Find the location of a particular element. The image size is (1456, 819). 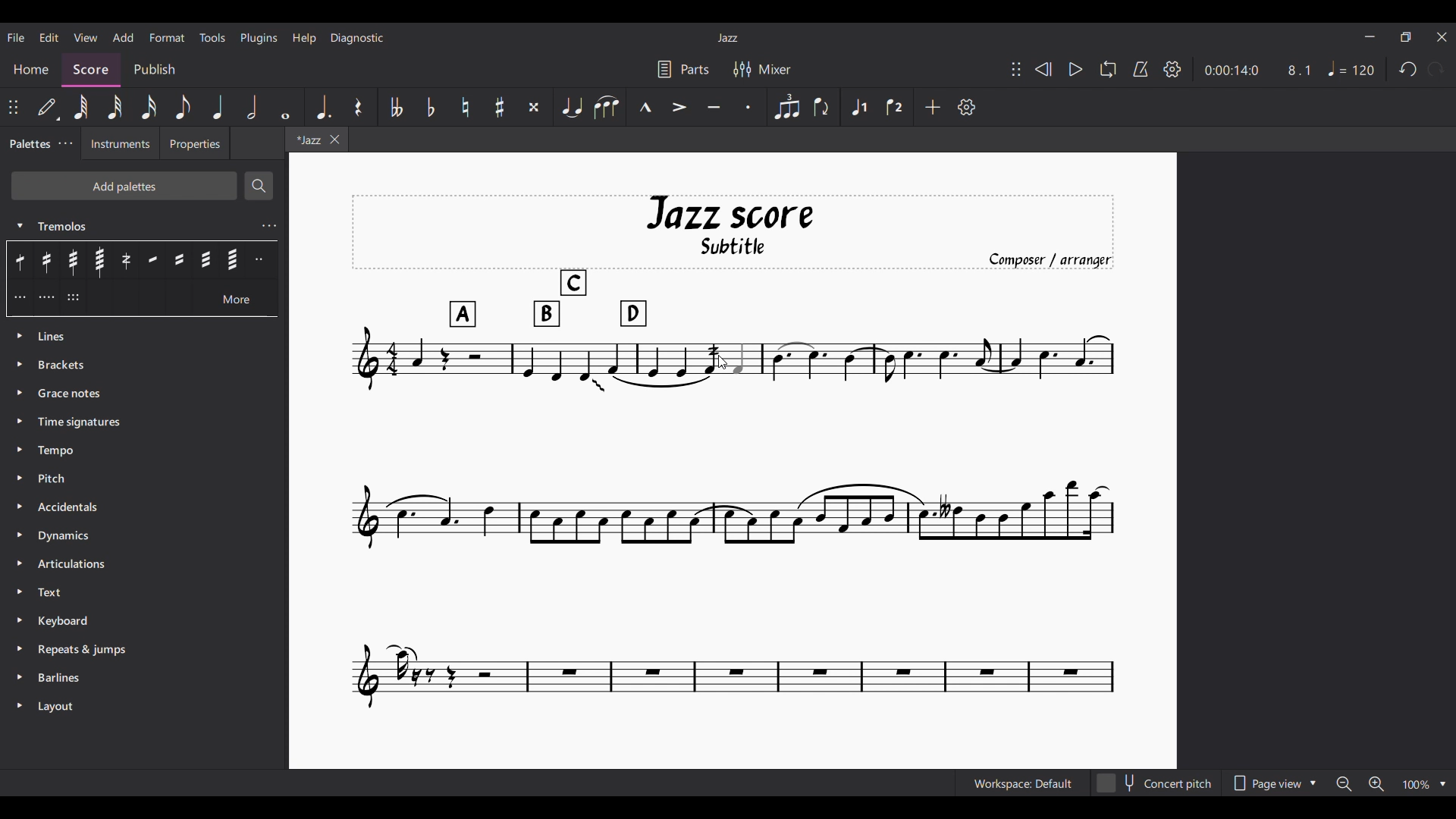

Tremolos settings is located at coordinates (269, 226).